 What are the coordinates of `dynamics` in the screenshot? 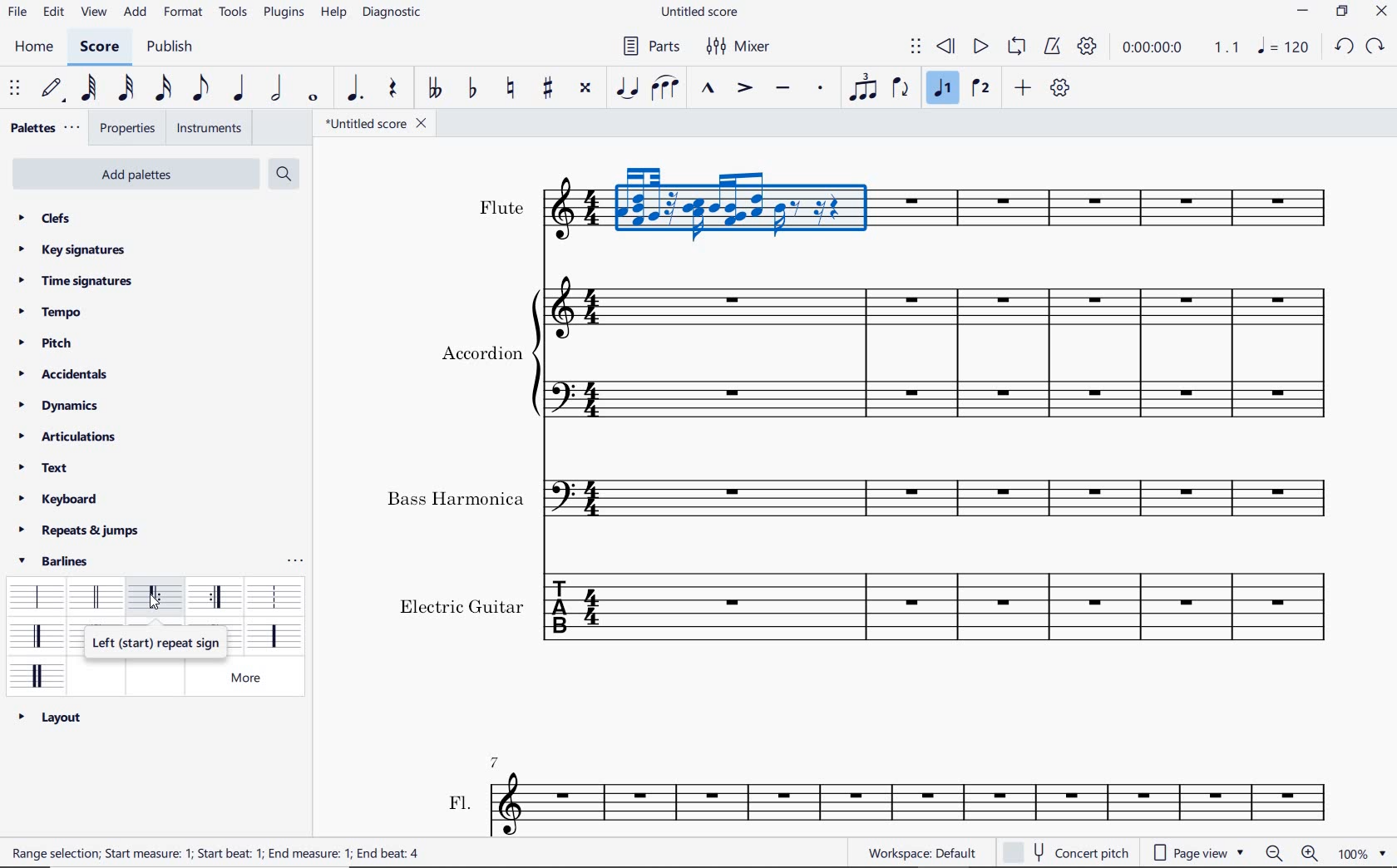 It's located at (58, 406).